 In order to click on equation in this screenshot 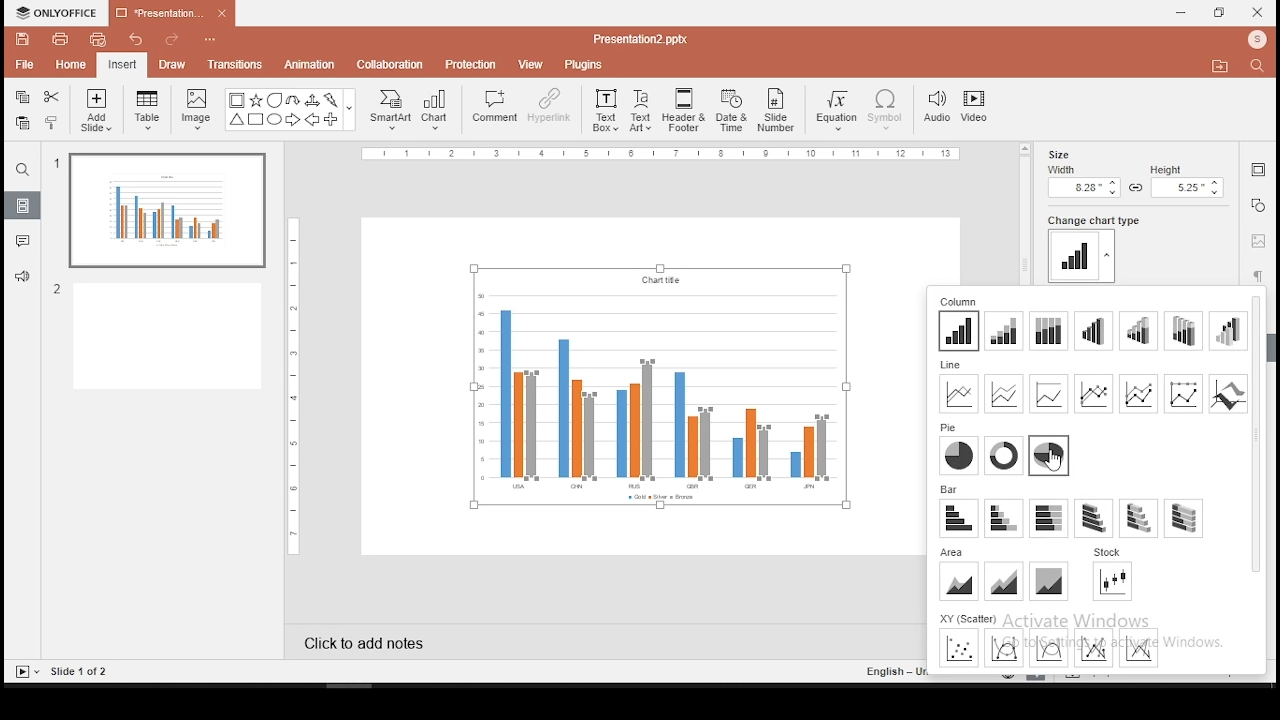, I will do `click(838, 110)`.